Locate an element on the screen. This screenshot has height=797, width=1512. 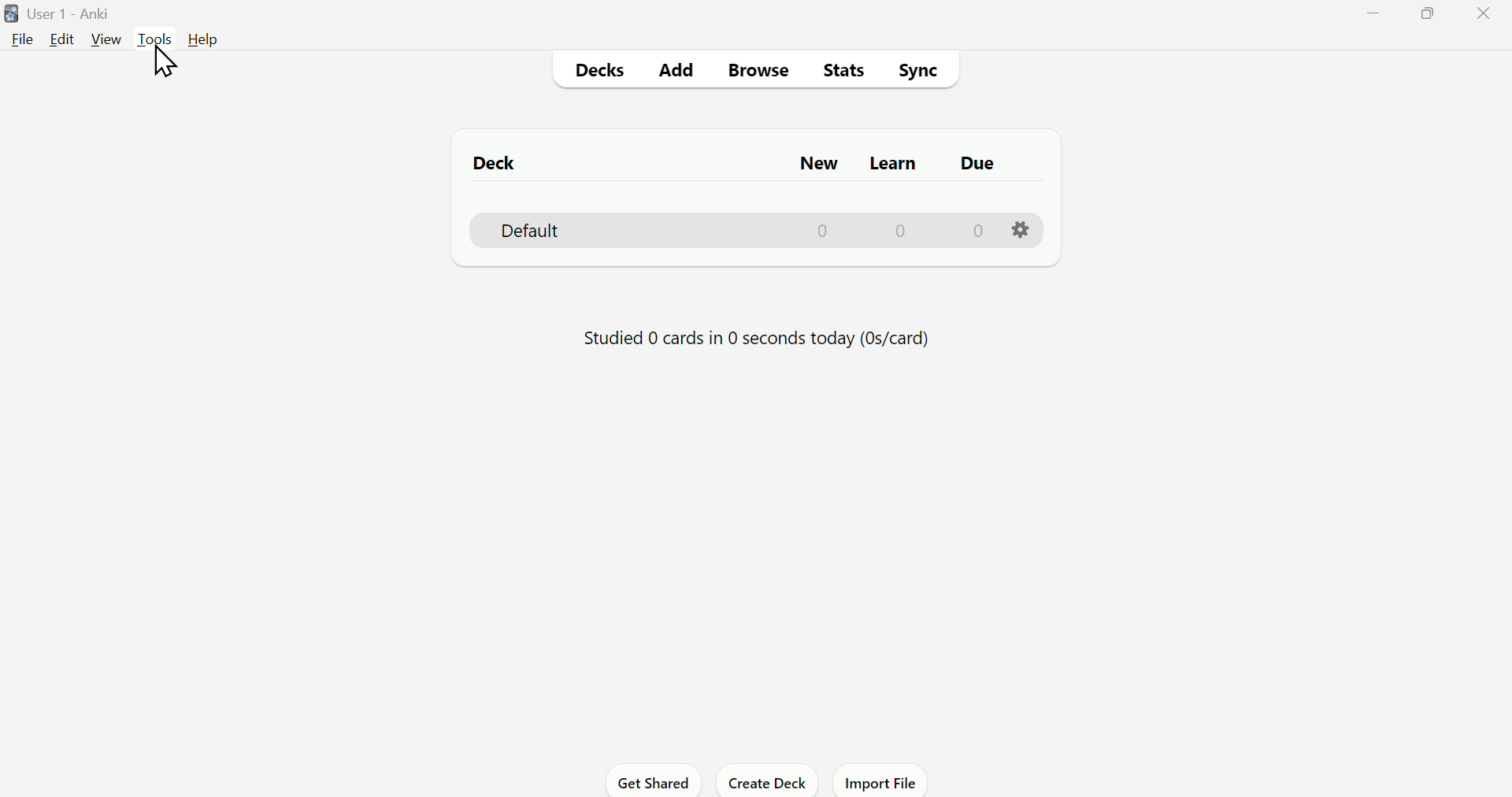
Create is located at coordinates (770, 781).